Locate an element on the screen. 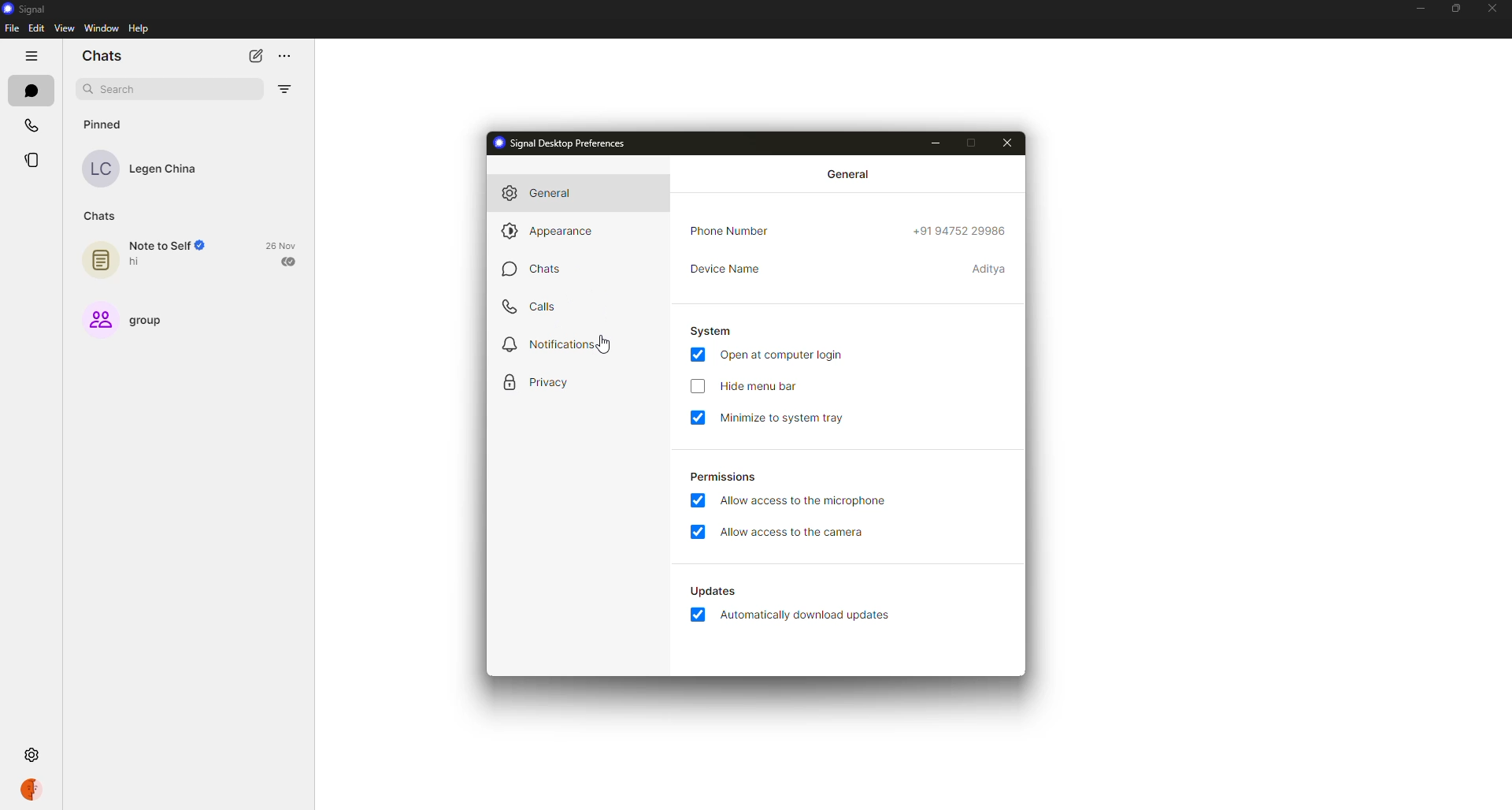  system is located at coordinates (714, 330).